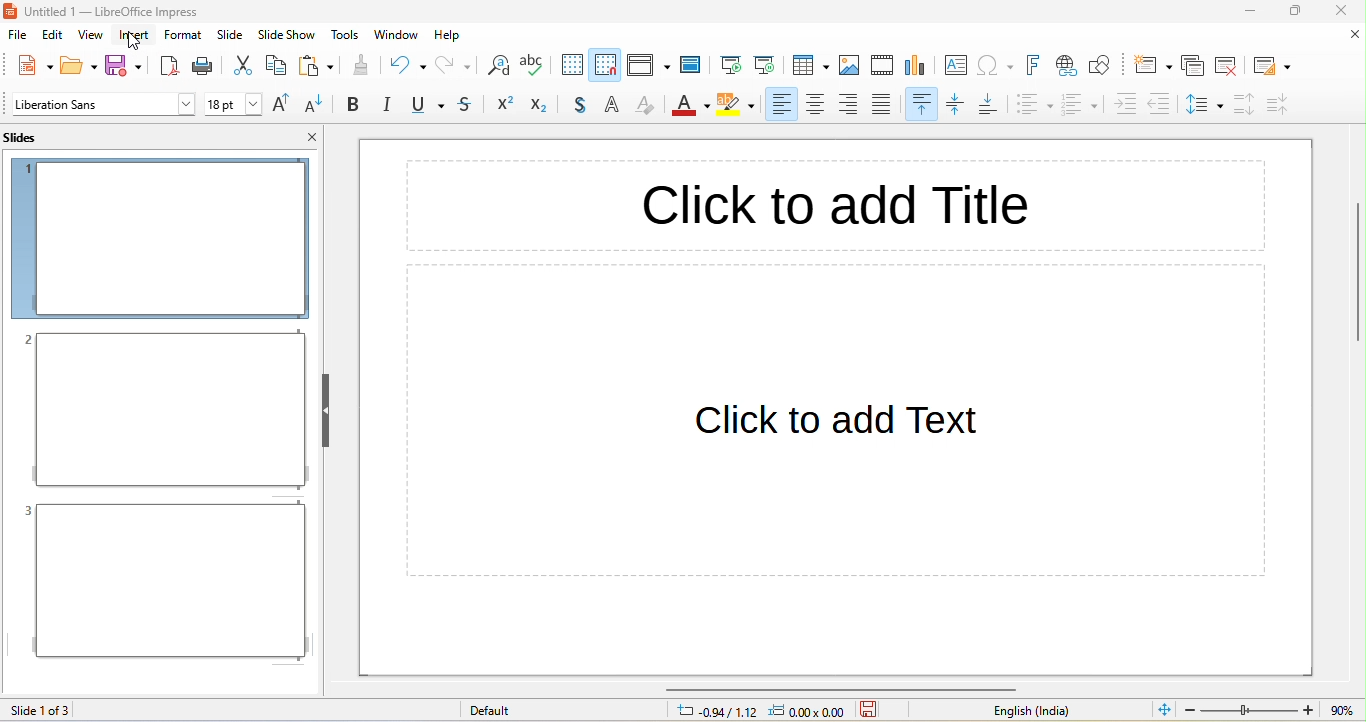 The height and width of the screenshot is (722, 1366). I want to click on new, so click(29, 64).